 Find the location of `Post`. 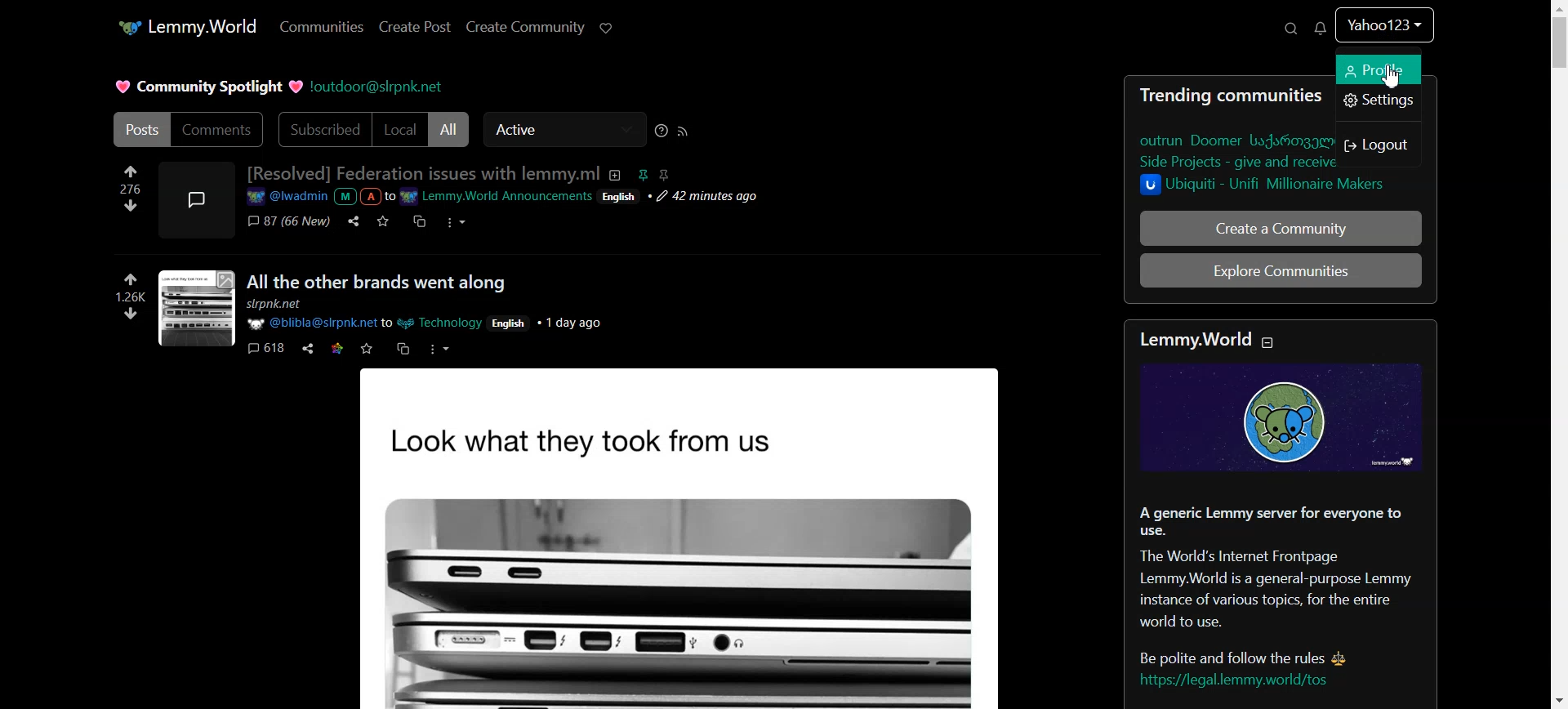

Post is located at coordinates (715, 542).